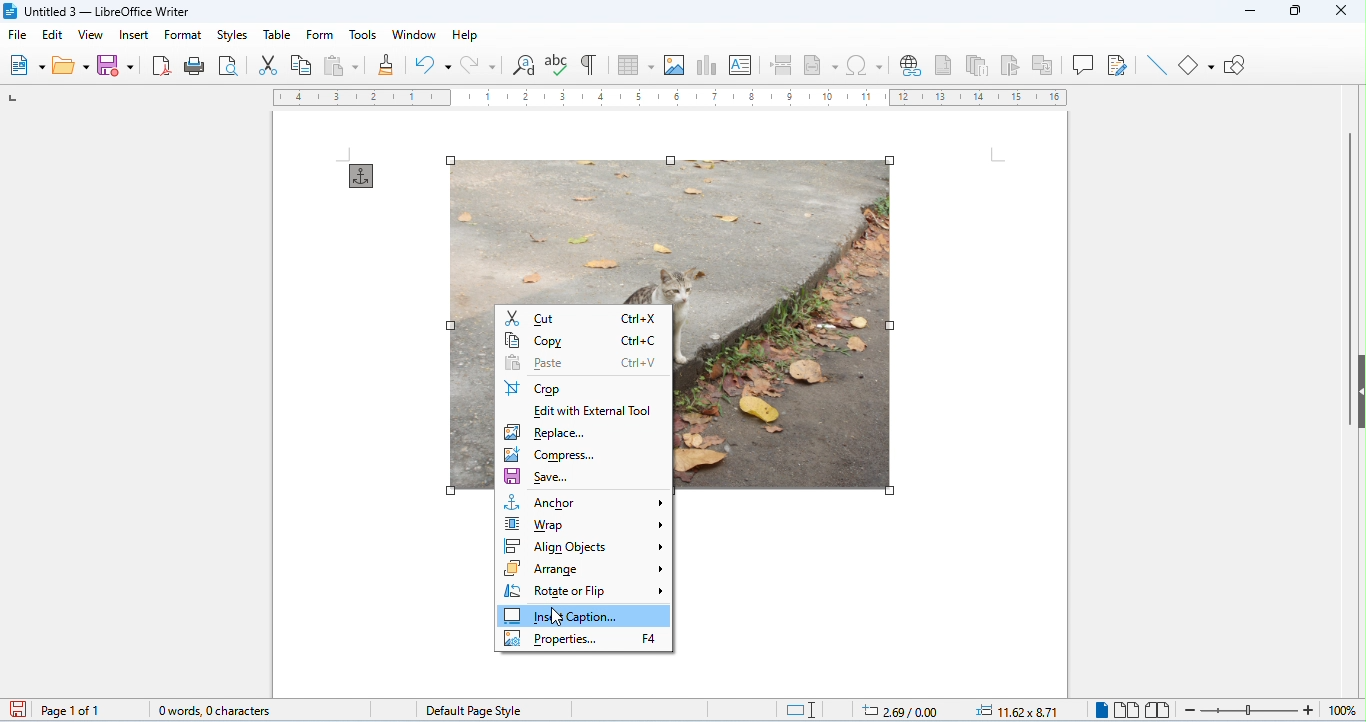 The width and height of the screenshot is (1366, 722). What do you see at coordinates (891, 709) in the screenshot?
I see `cursor position` at bounding box center [891, 709].